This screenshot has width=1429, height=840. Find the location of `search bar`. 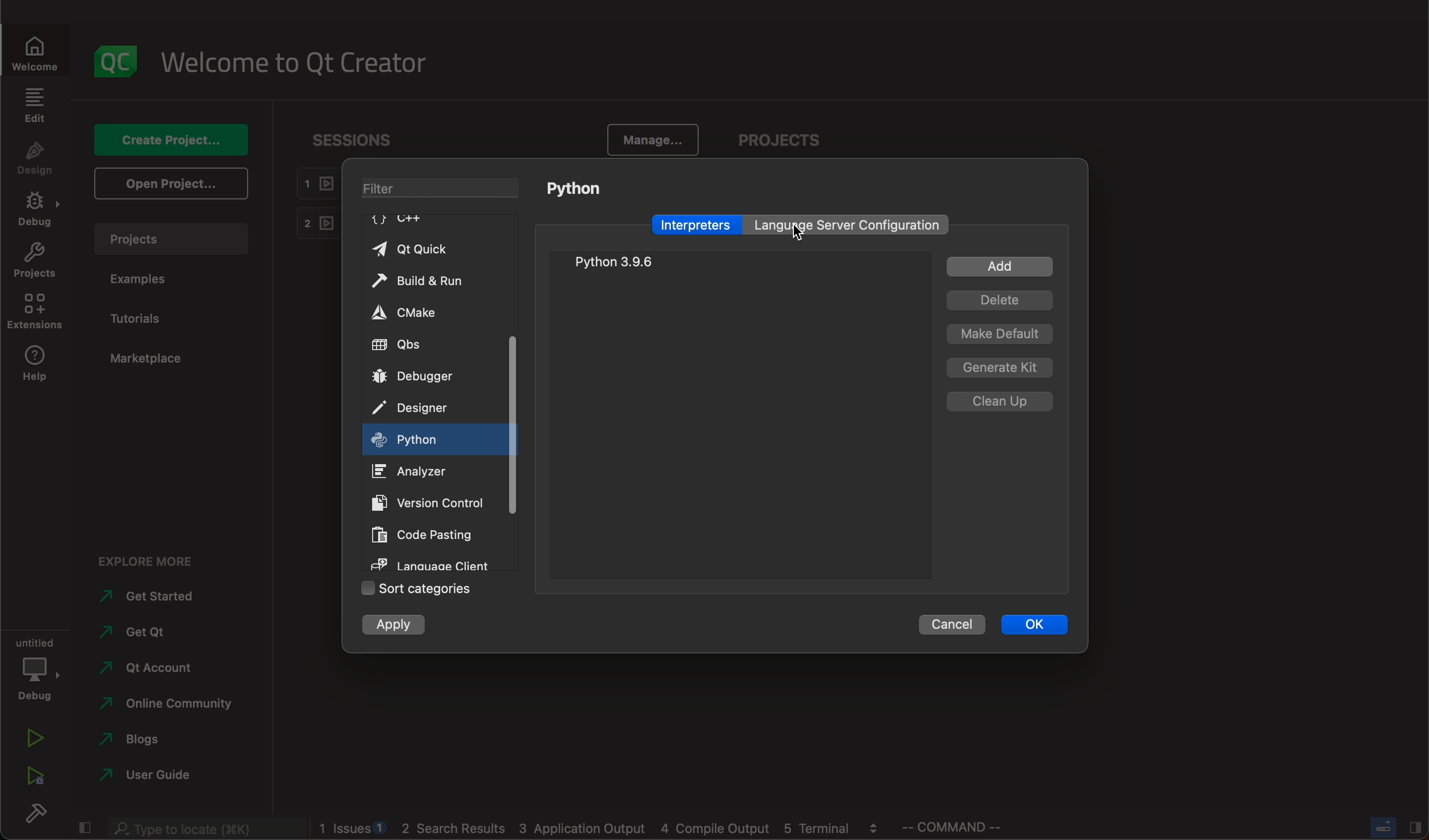

search bar is located at coordinates (204, 828).